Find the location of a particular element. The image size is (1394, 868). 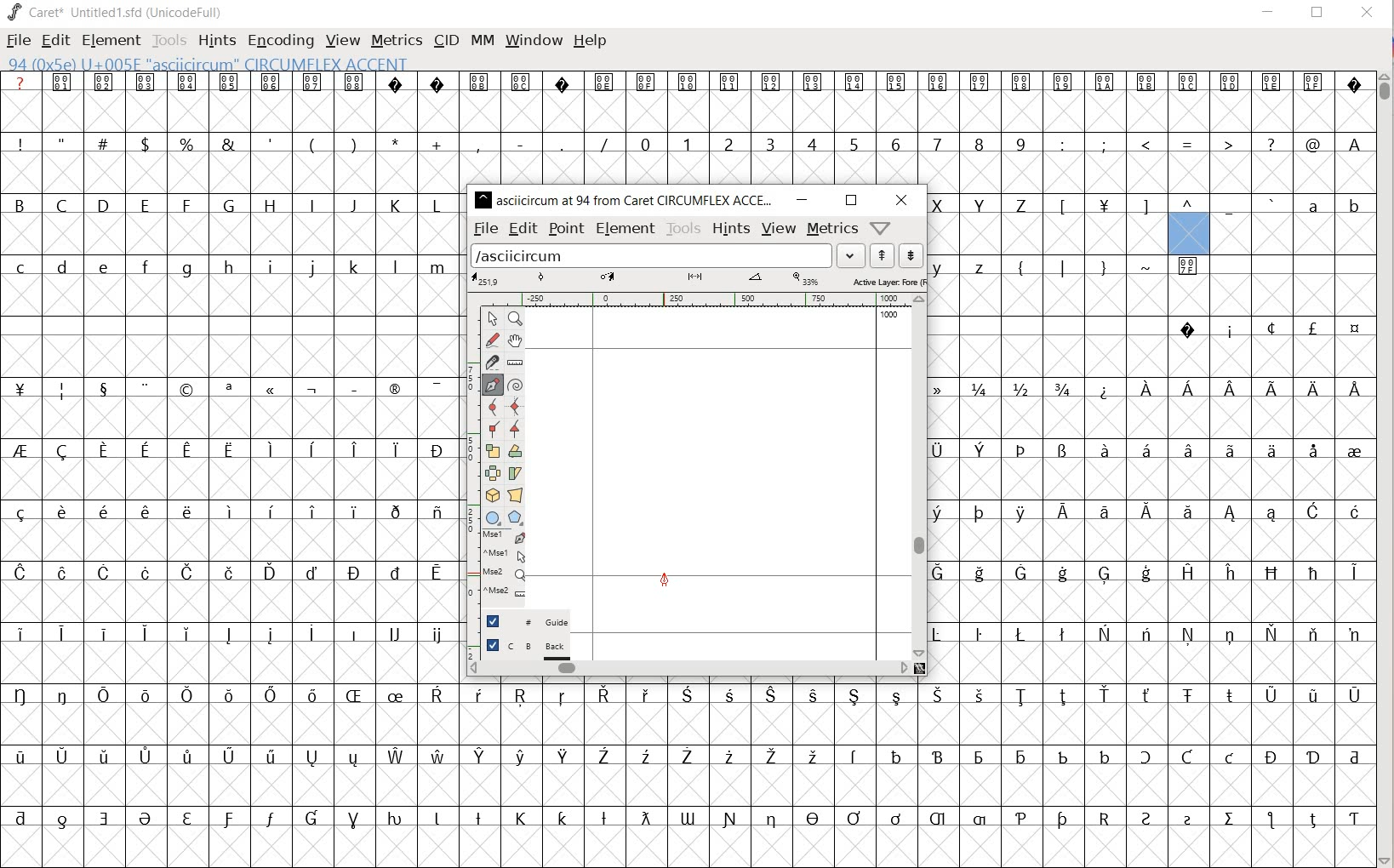

metrics is located at coordinates (833, 229).